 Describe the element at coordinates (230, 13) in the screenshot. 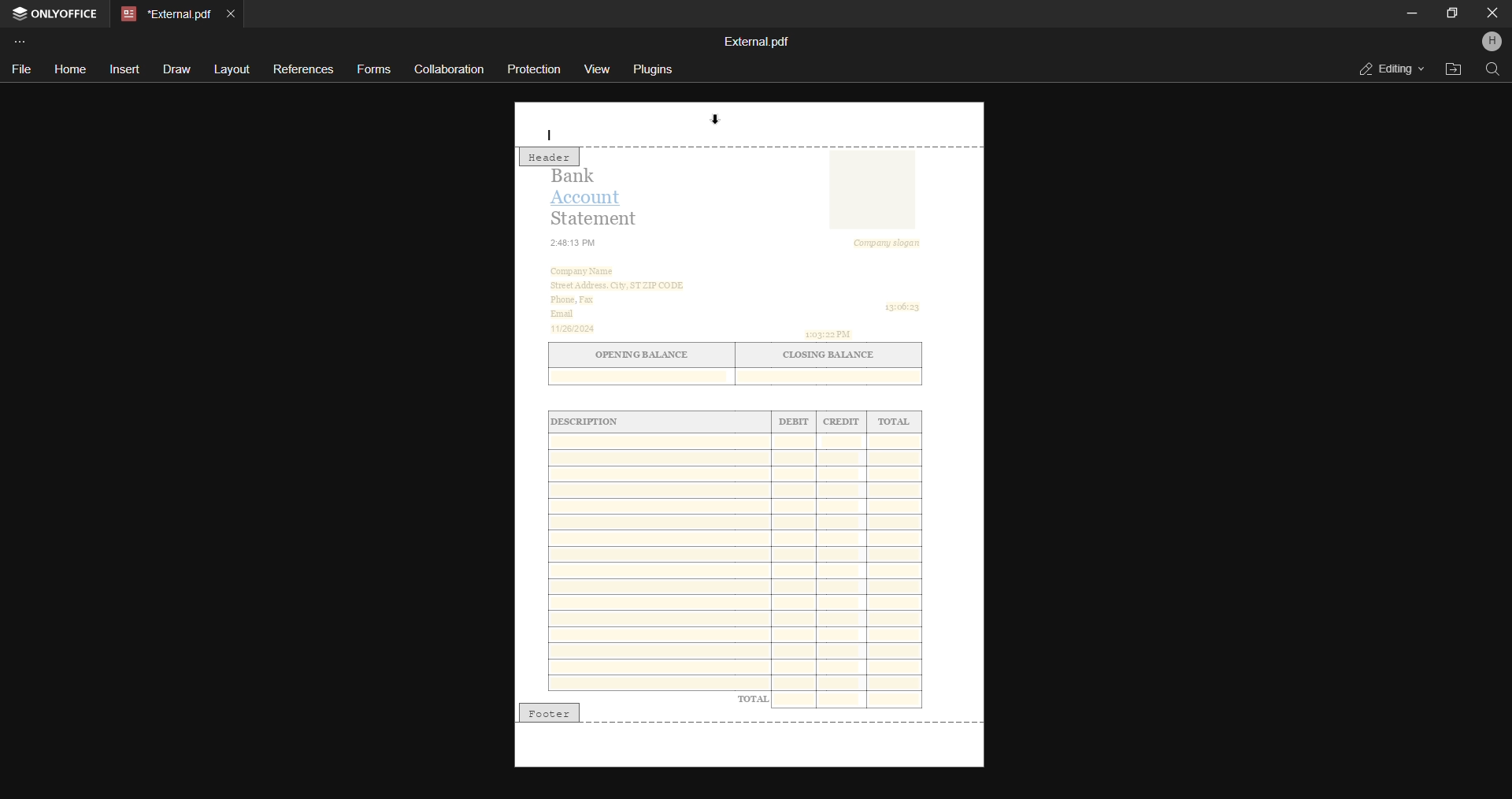

I see `close current tab` at that location.